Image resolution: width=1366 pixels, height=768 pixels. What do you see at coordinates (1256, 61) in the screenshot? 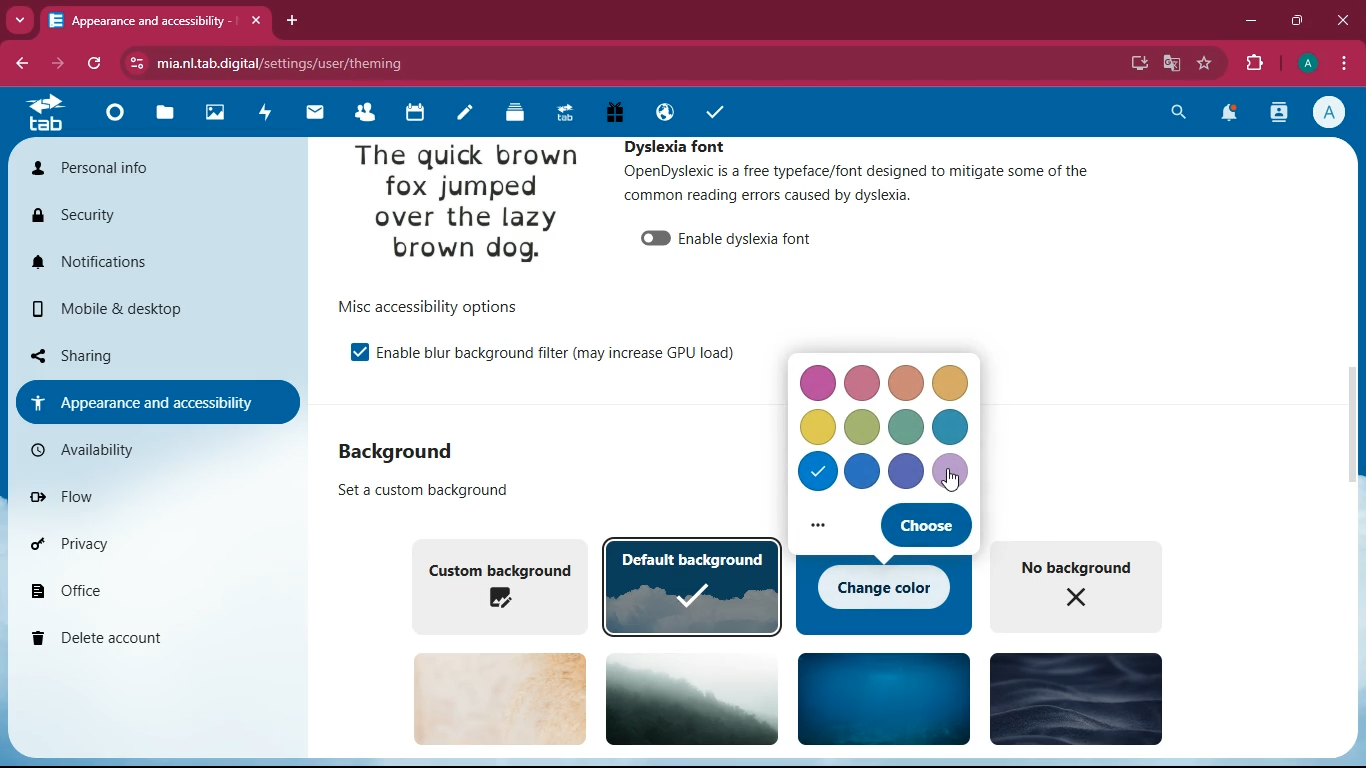
I see `extensions` at bounding box center [1256, 61].